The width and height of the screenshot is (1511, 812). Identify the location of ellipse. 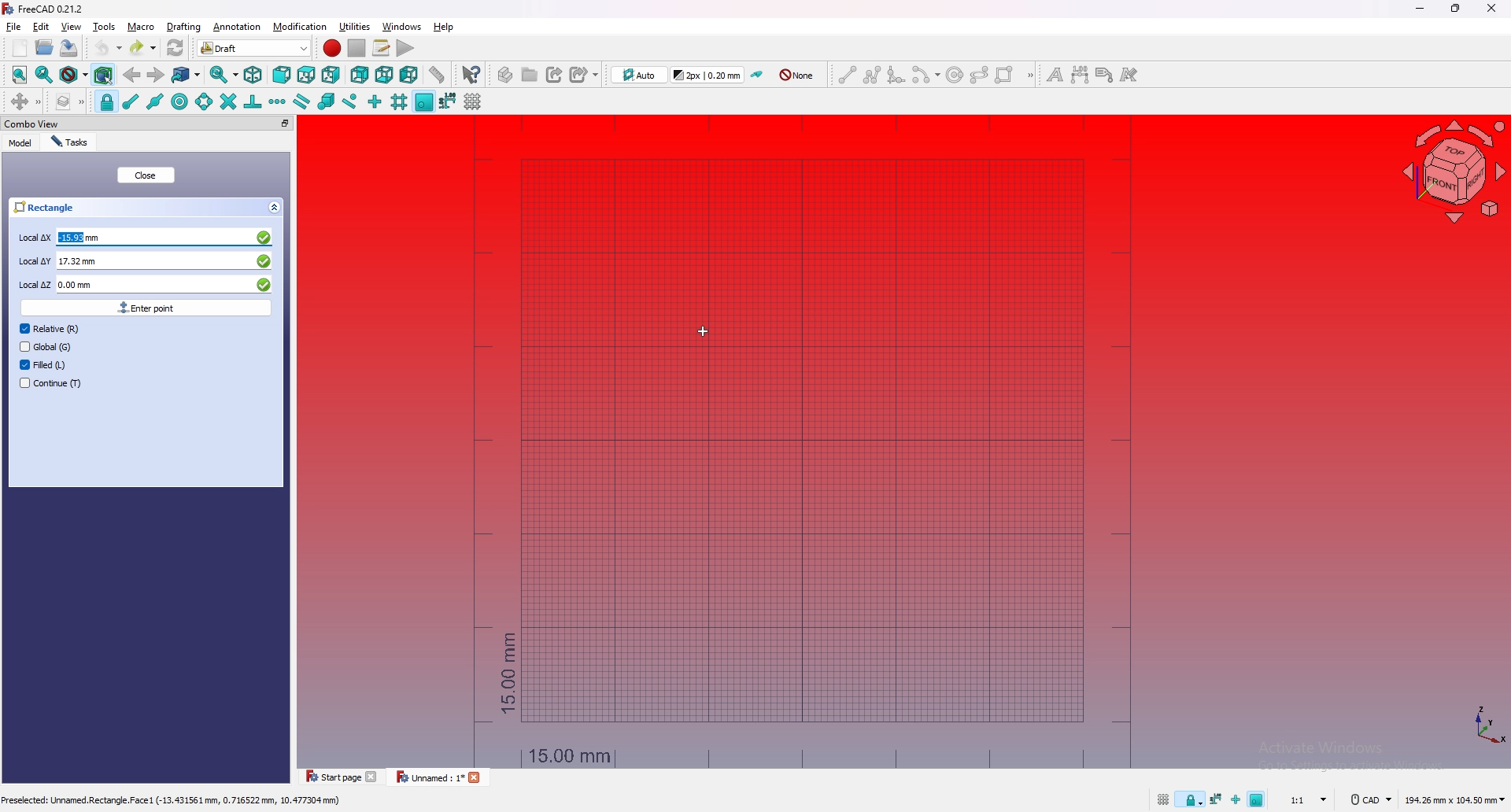
(980, 74).